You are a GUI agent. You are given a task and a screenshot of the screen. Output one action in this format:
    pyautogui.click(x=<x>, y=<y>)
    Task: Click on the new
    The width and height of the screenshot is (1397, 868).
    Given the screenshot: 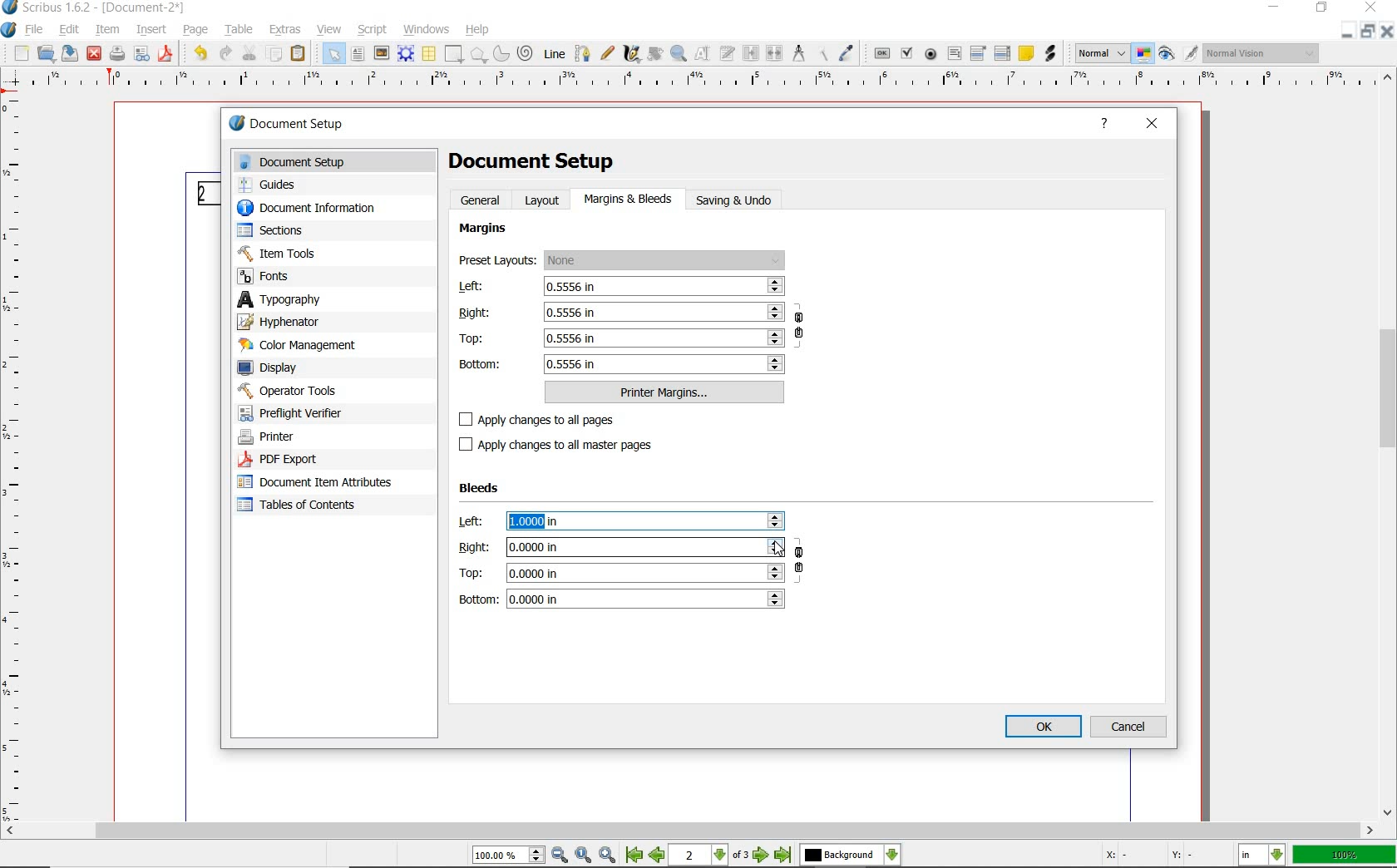 What is the action you would take?
    pyautogui.click(x=22, y=54)
    